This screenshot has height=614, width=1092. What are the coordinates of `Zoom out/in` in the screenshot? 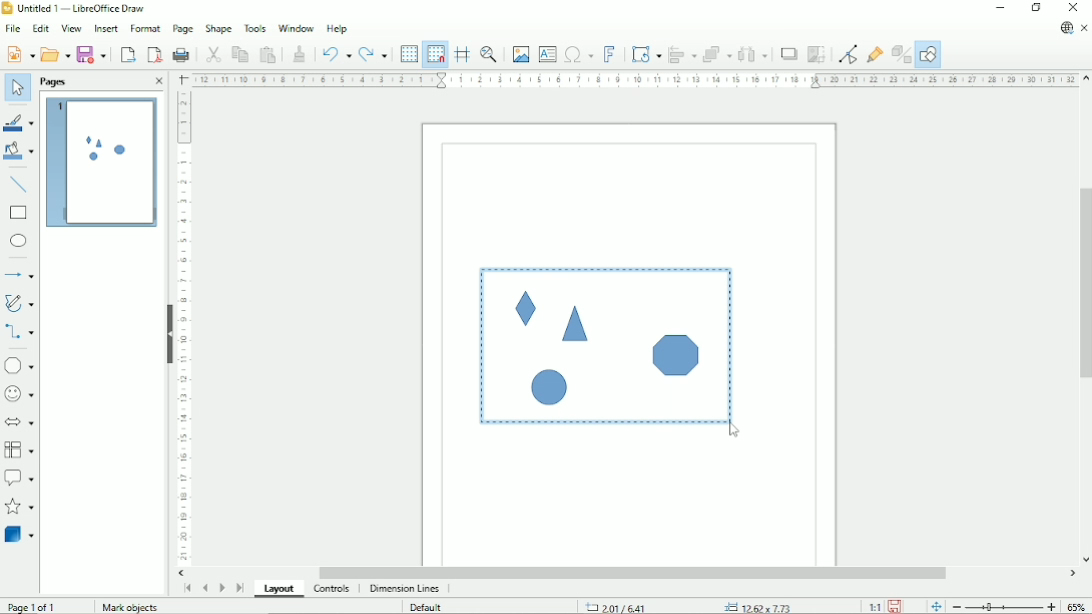 It's located at (1003, 607).